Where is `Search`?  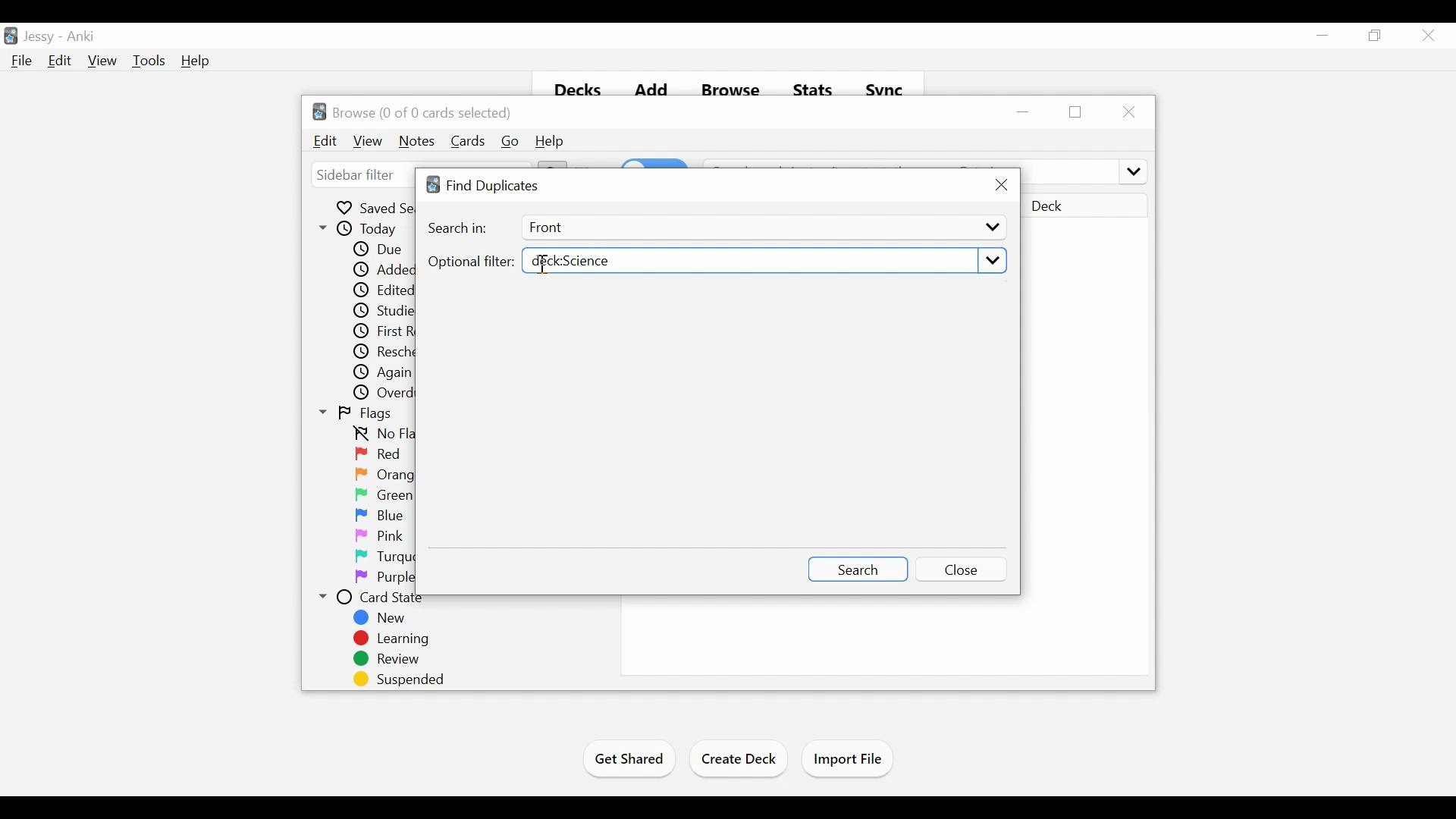 Search is located at coordinates (857, 568).